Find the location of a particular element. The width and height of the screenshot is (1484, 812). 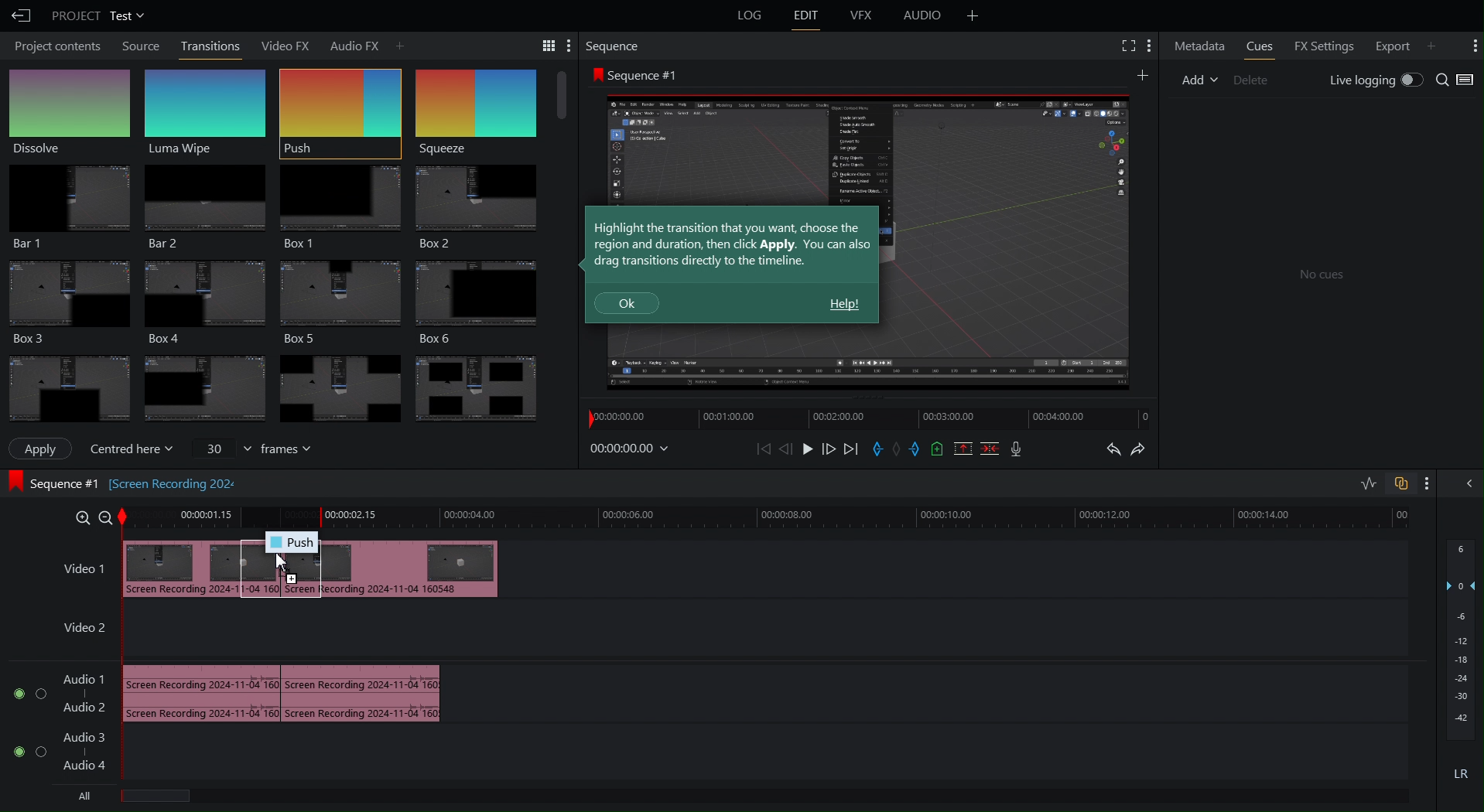

Audio FX is located at coordinates (350, 43).